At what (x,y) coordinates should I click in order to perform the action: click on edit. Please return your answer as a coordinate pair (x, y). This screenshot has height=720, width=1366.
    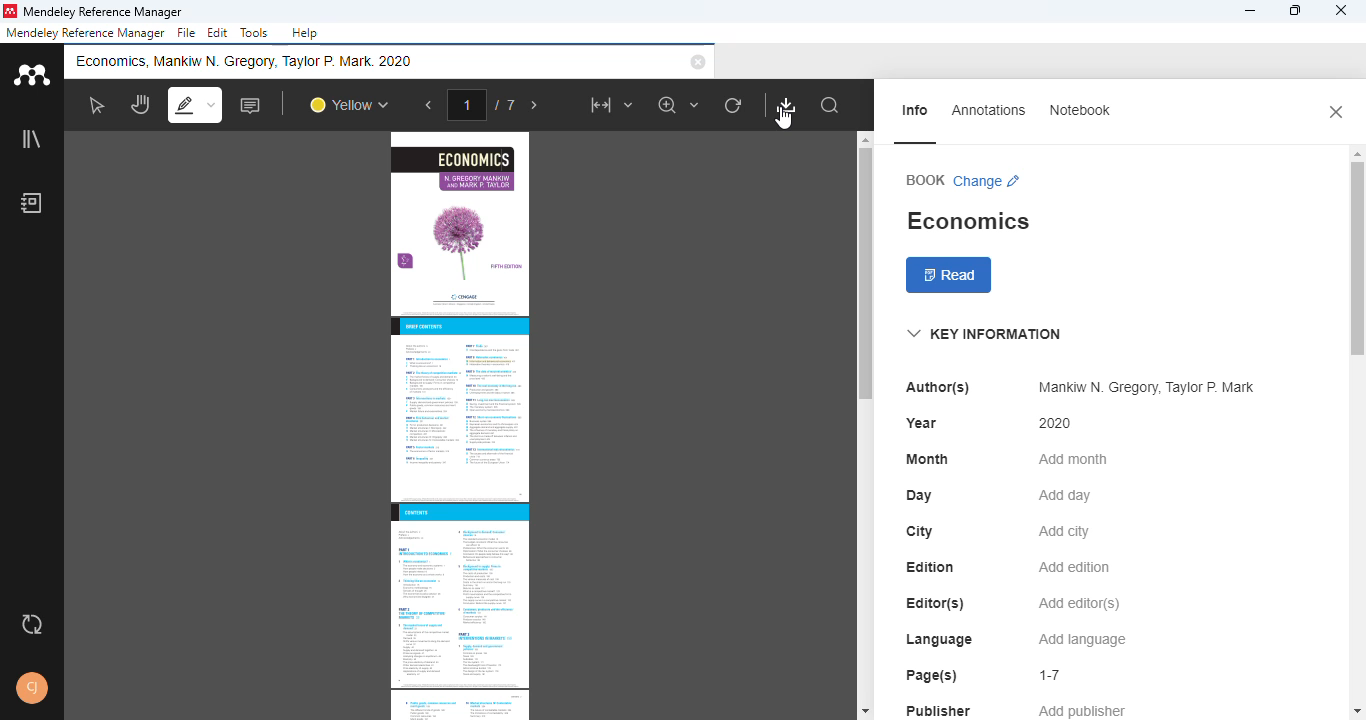
    Looking at the image, I should click on (219, 34).